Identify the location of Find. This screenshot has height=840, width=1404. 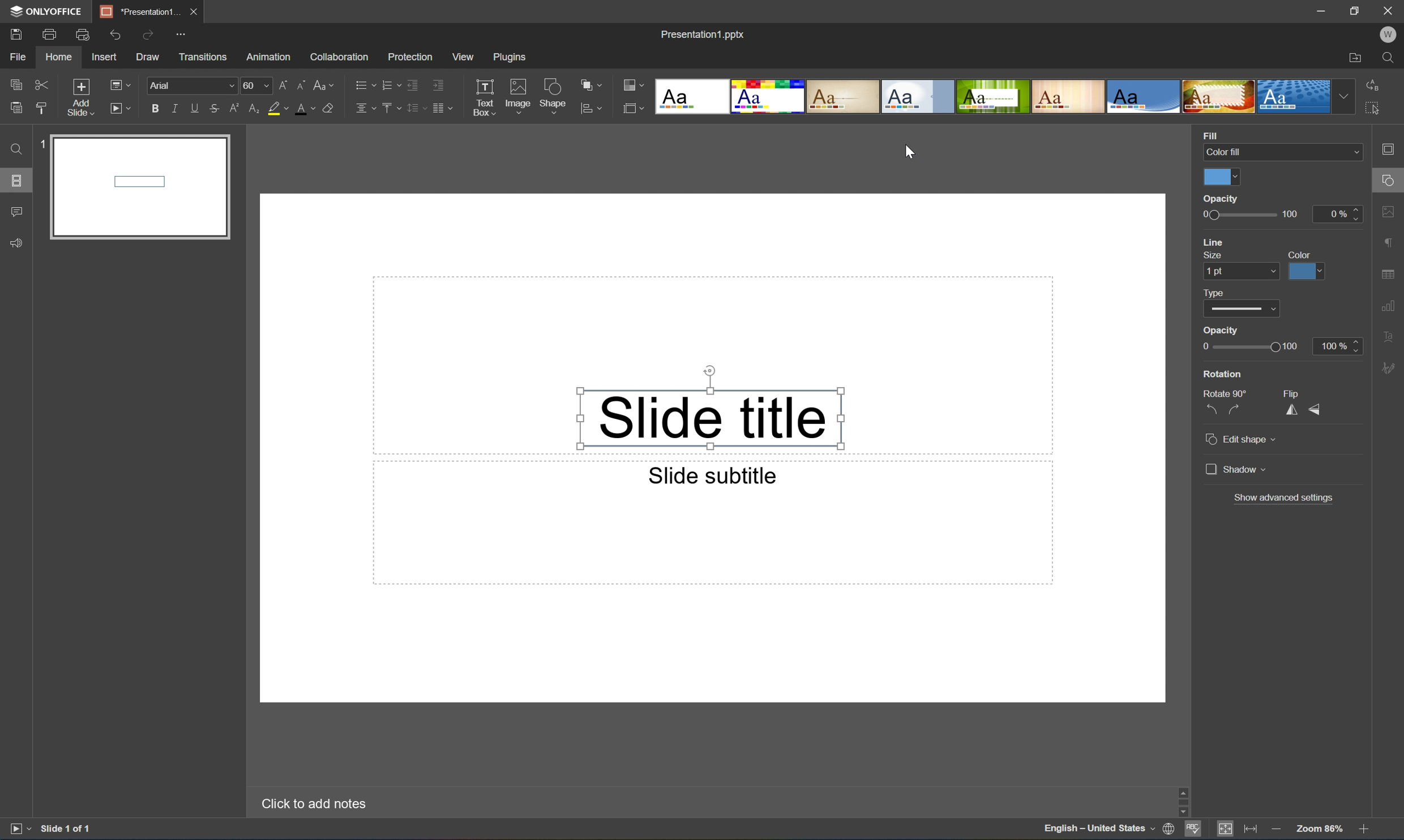
(14, 149).